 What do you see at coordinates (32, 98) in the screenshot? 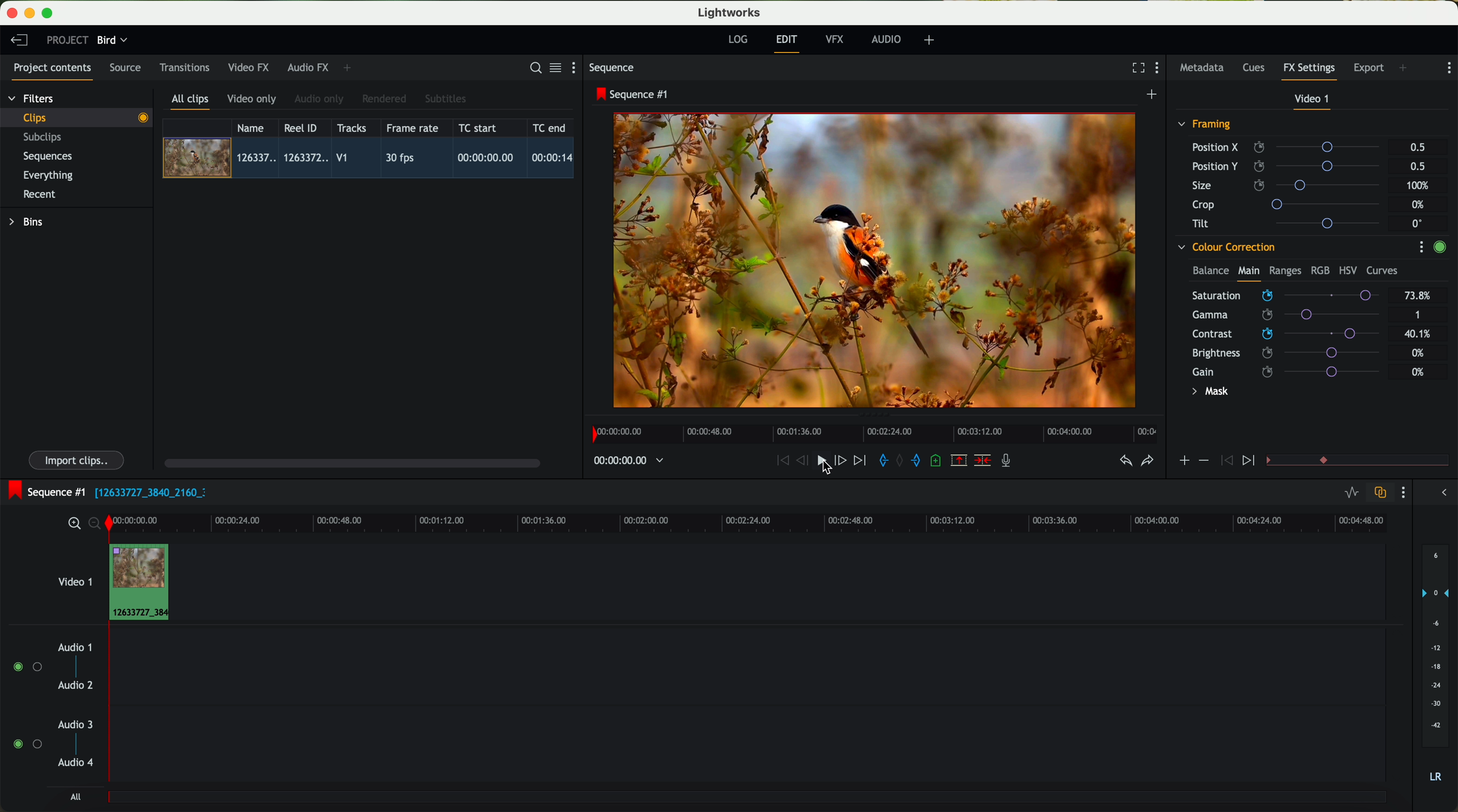
I see `filters` at bounding box center [32, 98].